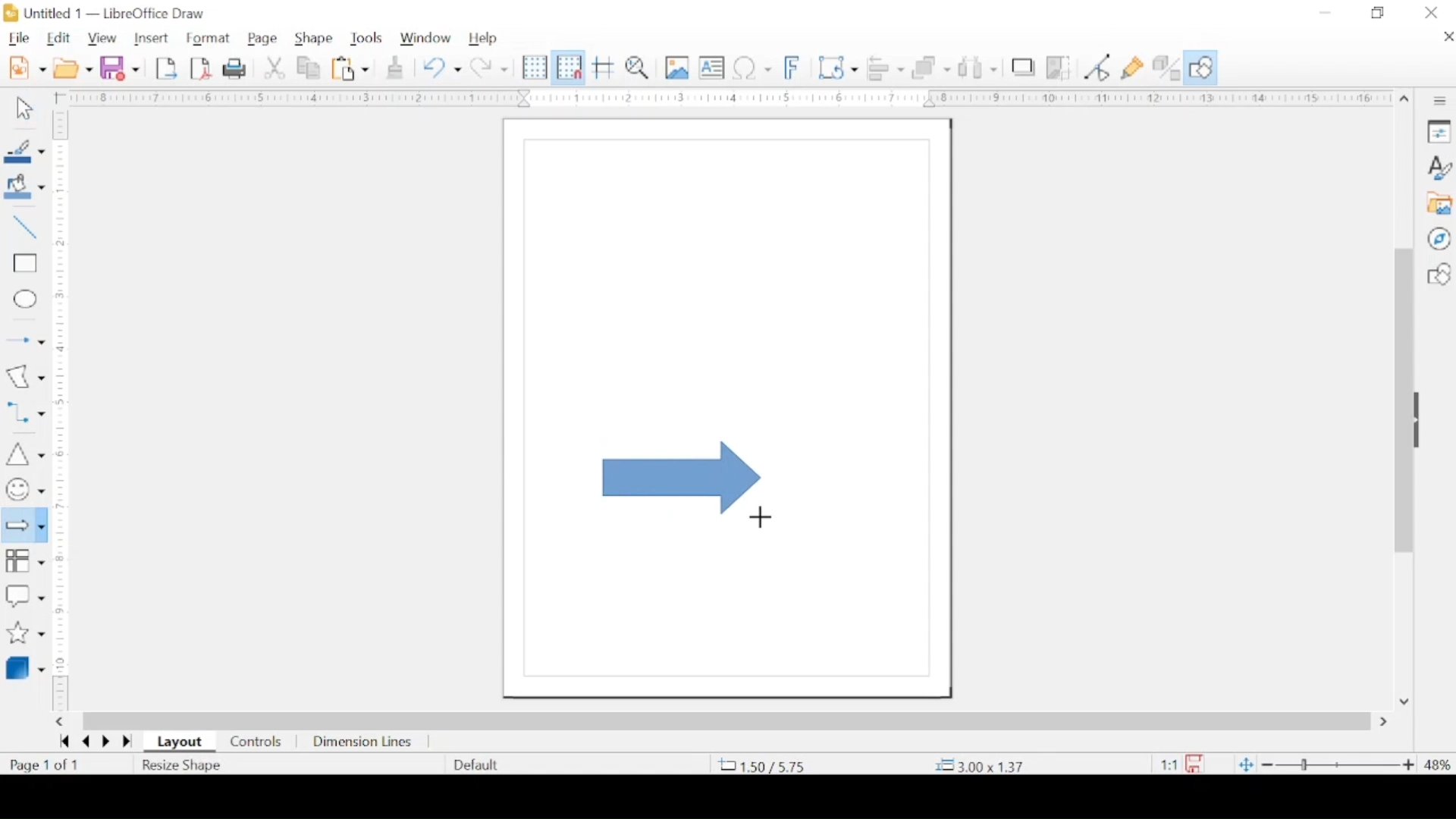 This screenshot has width=1456, height=819. Describe the element at coordinates (1438, 766) in the screenshot. I see `zoom level` at that location.